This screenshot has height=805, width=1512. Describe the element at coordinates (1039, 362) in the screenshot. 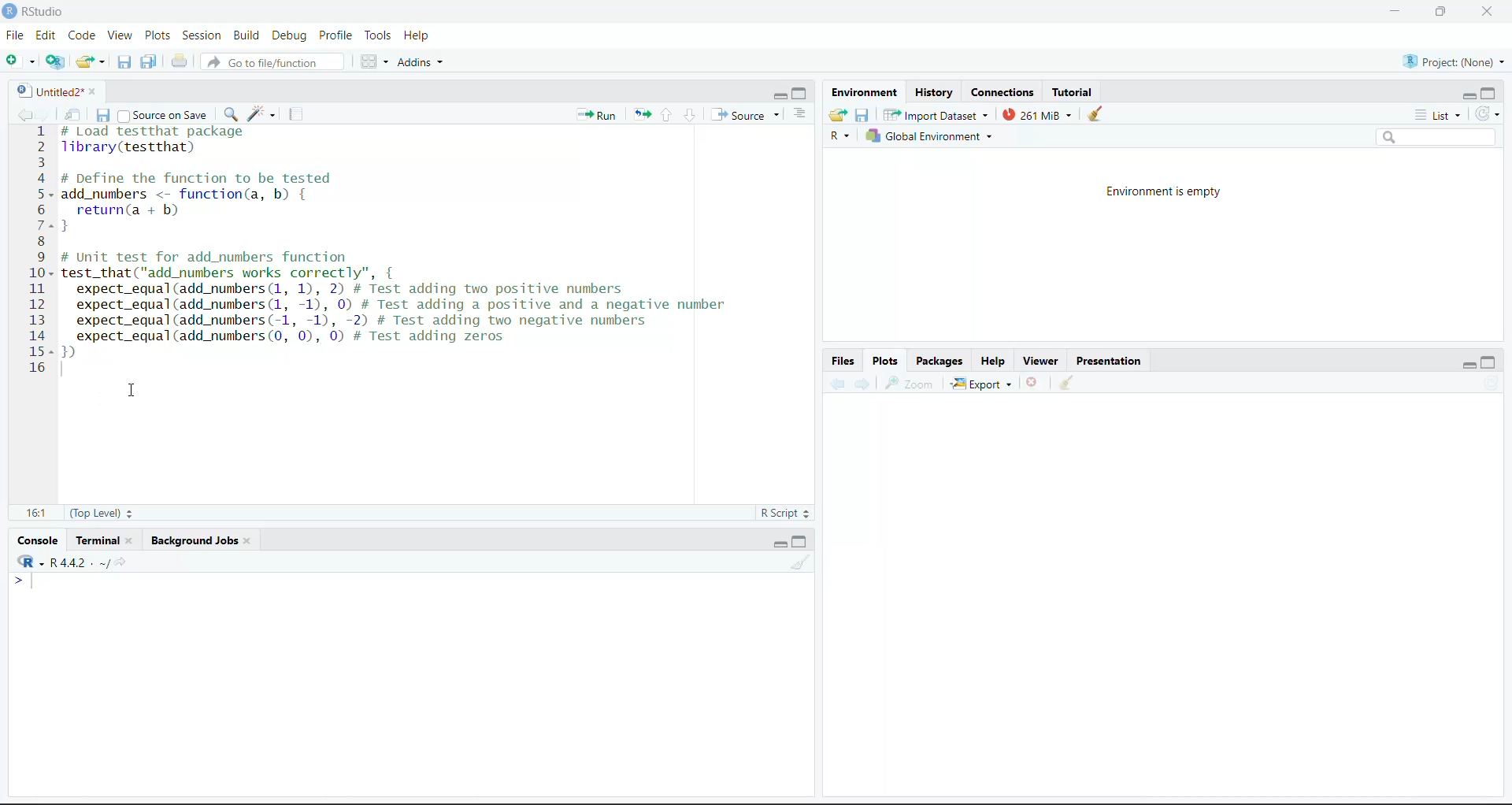

I see `Viewer` at that location.